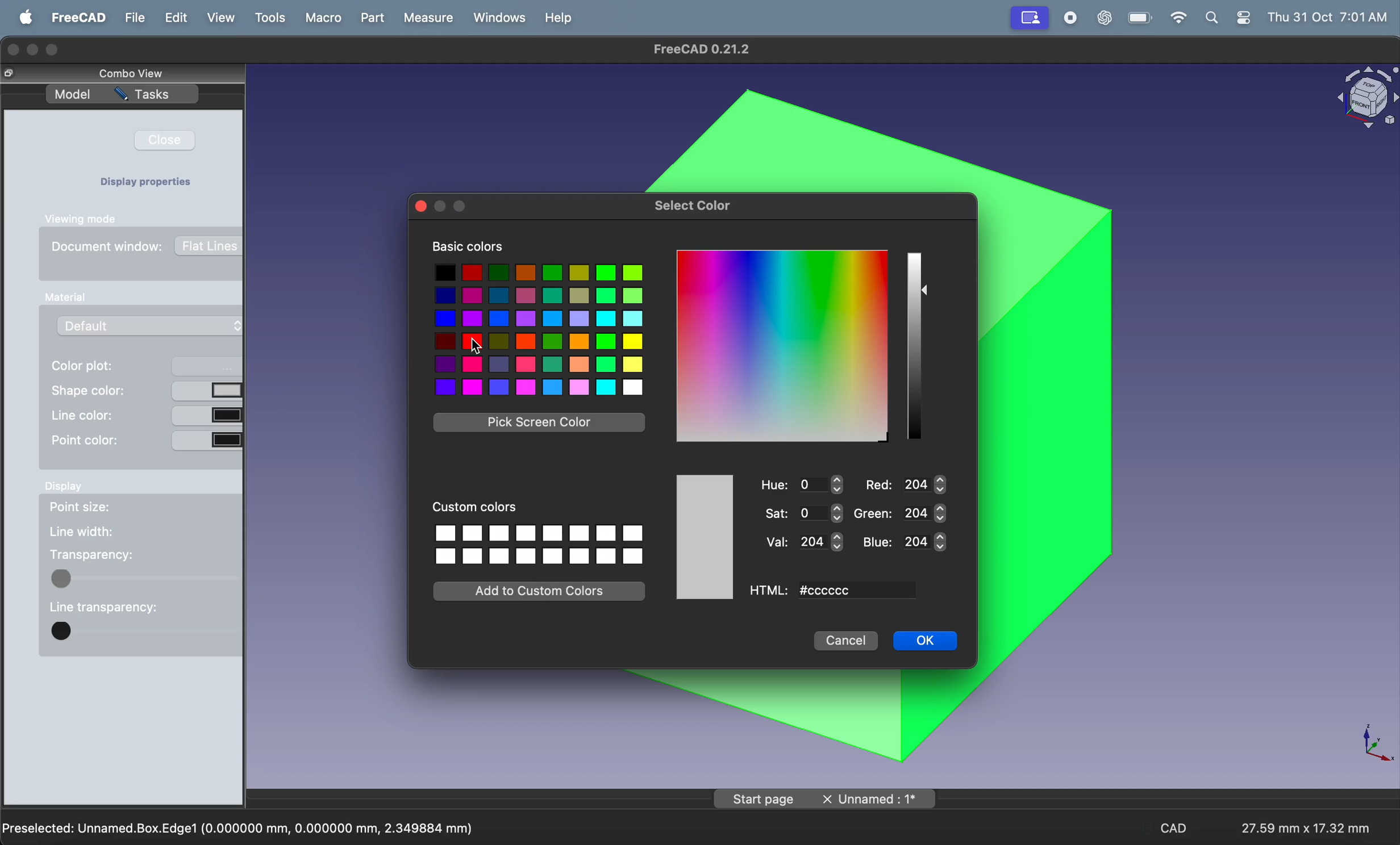 Image resolution: width=1400 pixels, height=845 pixels. Describe the element at coordinates (145, 578) in the screenshot. I see `toogle` at that location.